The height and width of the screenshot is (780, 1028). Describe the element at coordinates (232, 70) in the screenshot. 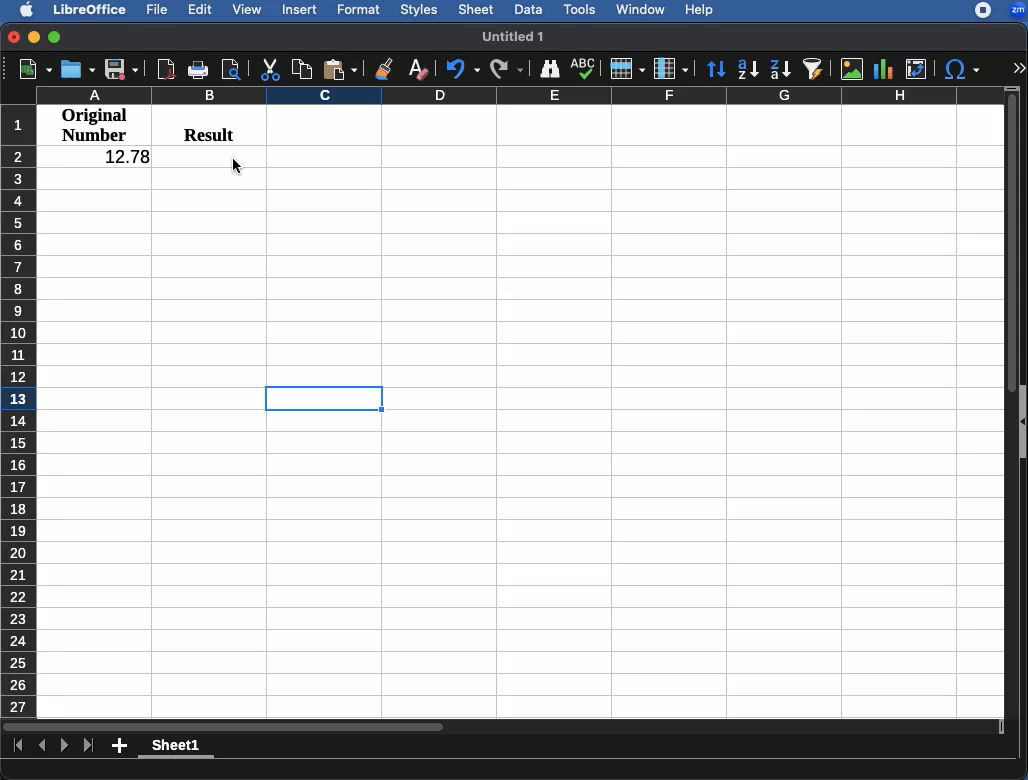

I see `Print preview ` at that location.